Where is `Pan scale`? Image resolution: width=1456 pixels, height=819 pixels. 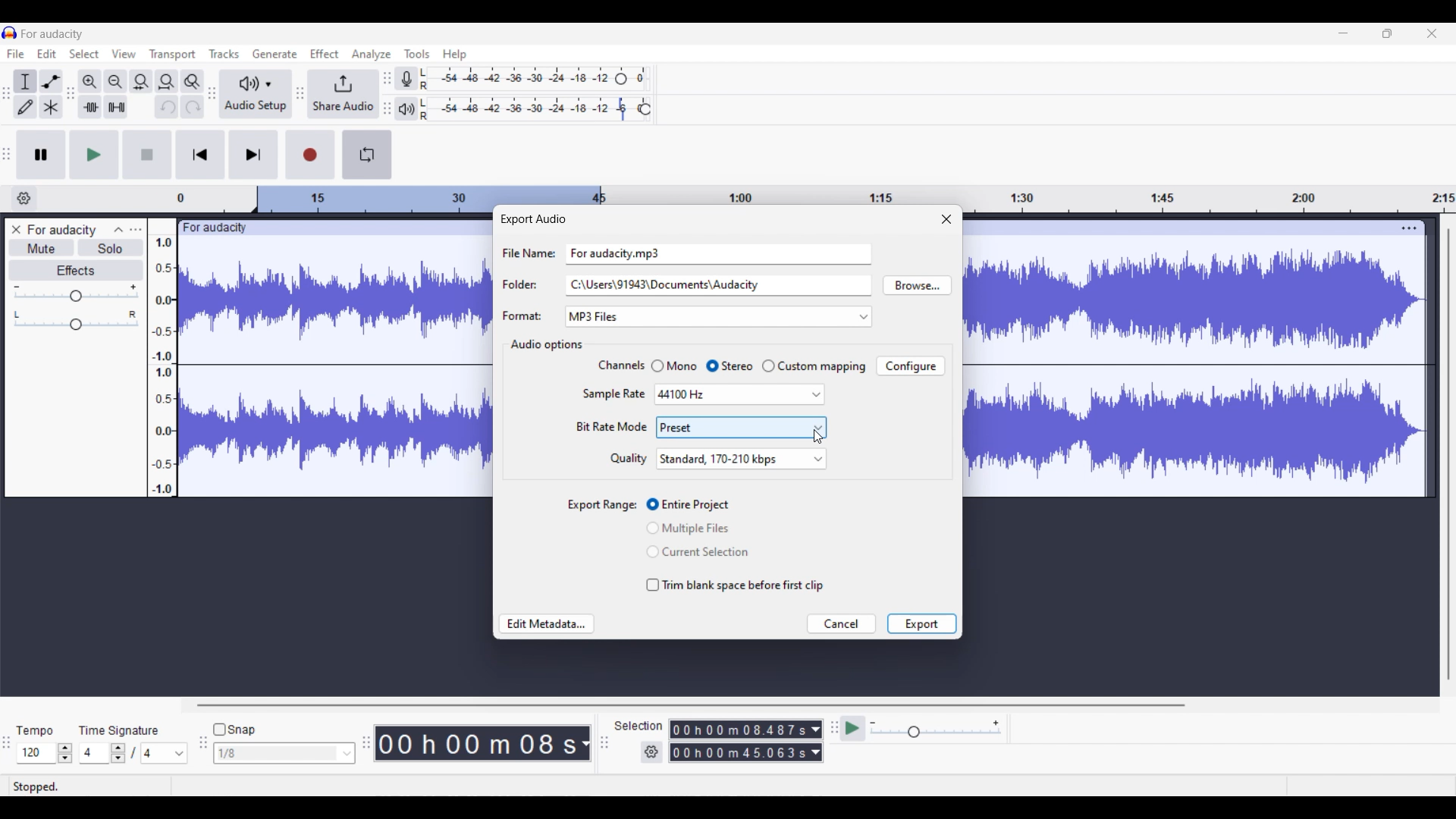
Pan scale is located at coordinates (76, 321).